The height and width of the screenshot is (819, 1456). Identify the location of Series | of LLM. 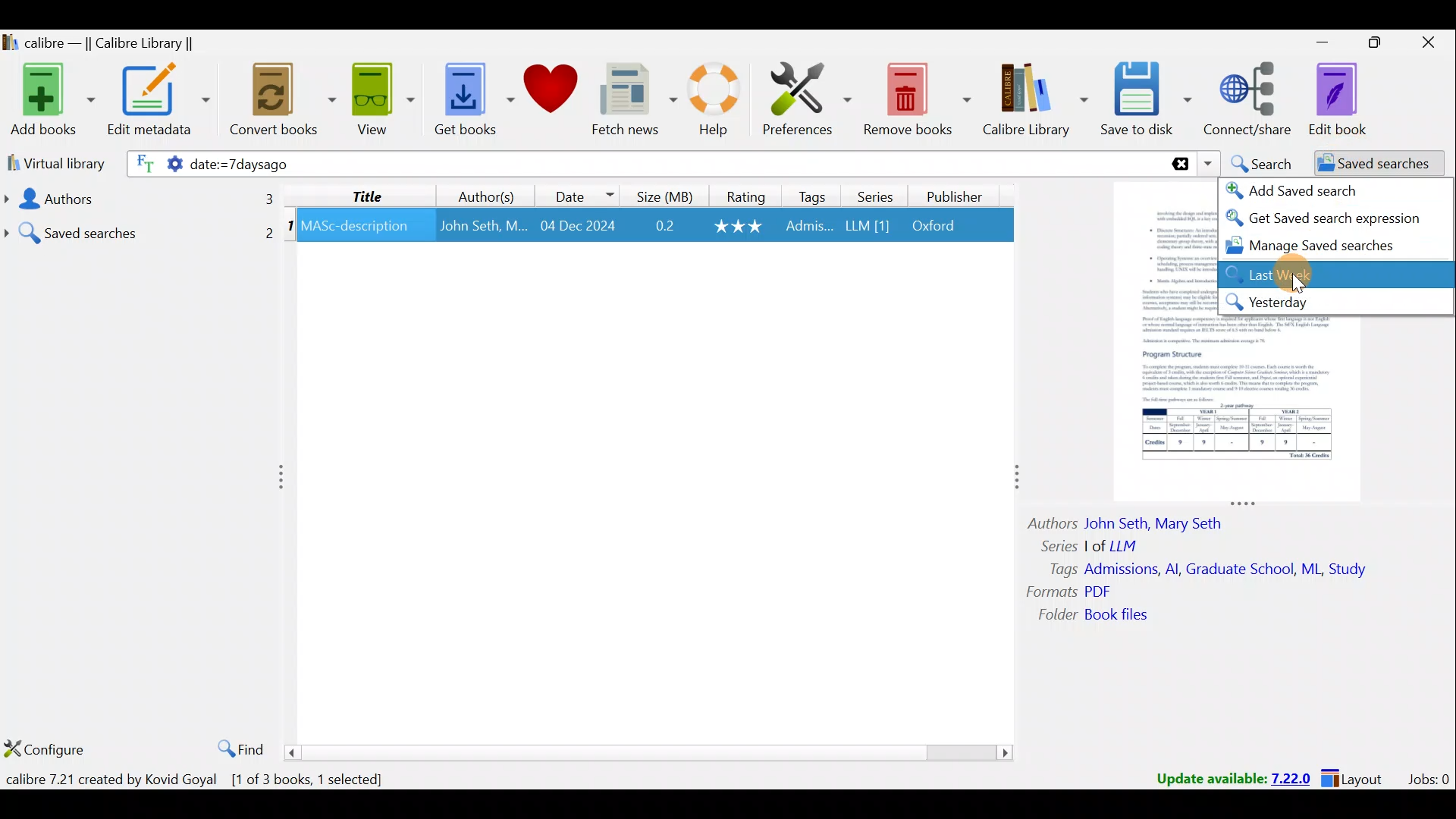
(1097, 544).